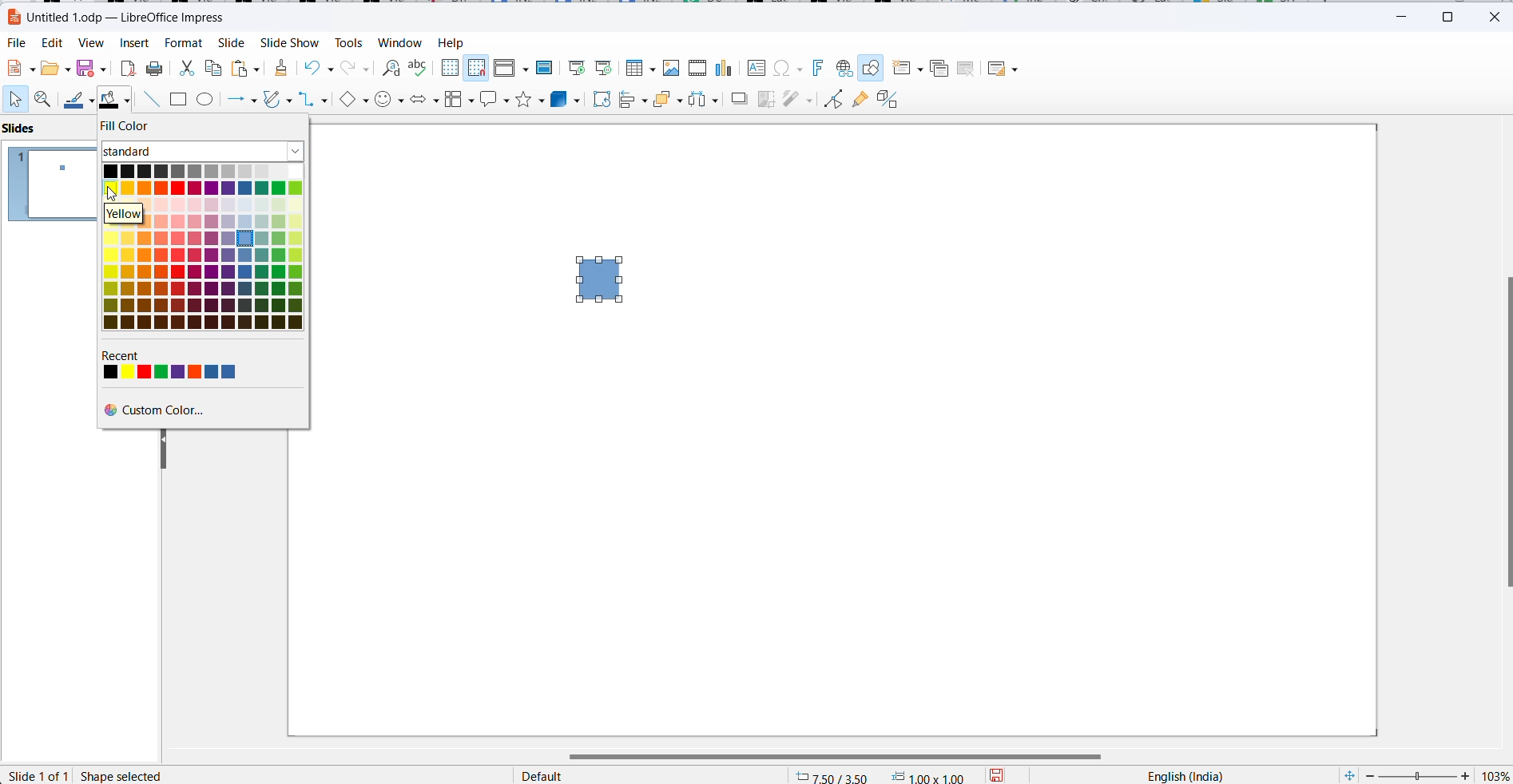  Describe the element at coordinates (578, 66) in the screenshot. I see `Start from first slide` at that location.